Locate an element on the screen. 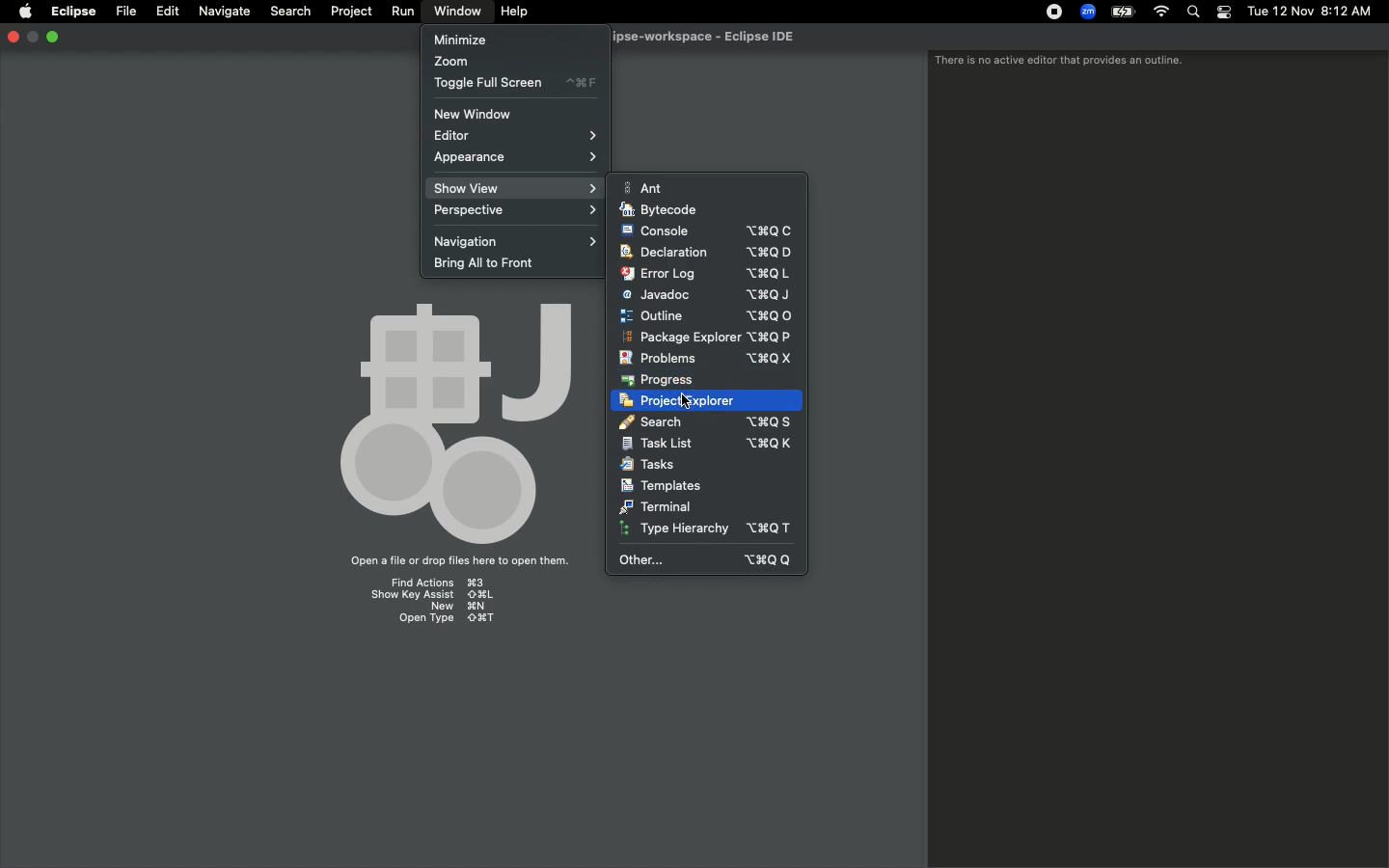 The width and height of the screenshot is (1389, 868). Eclipse IDE workspace is located at coordinates (712, 37).